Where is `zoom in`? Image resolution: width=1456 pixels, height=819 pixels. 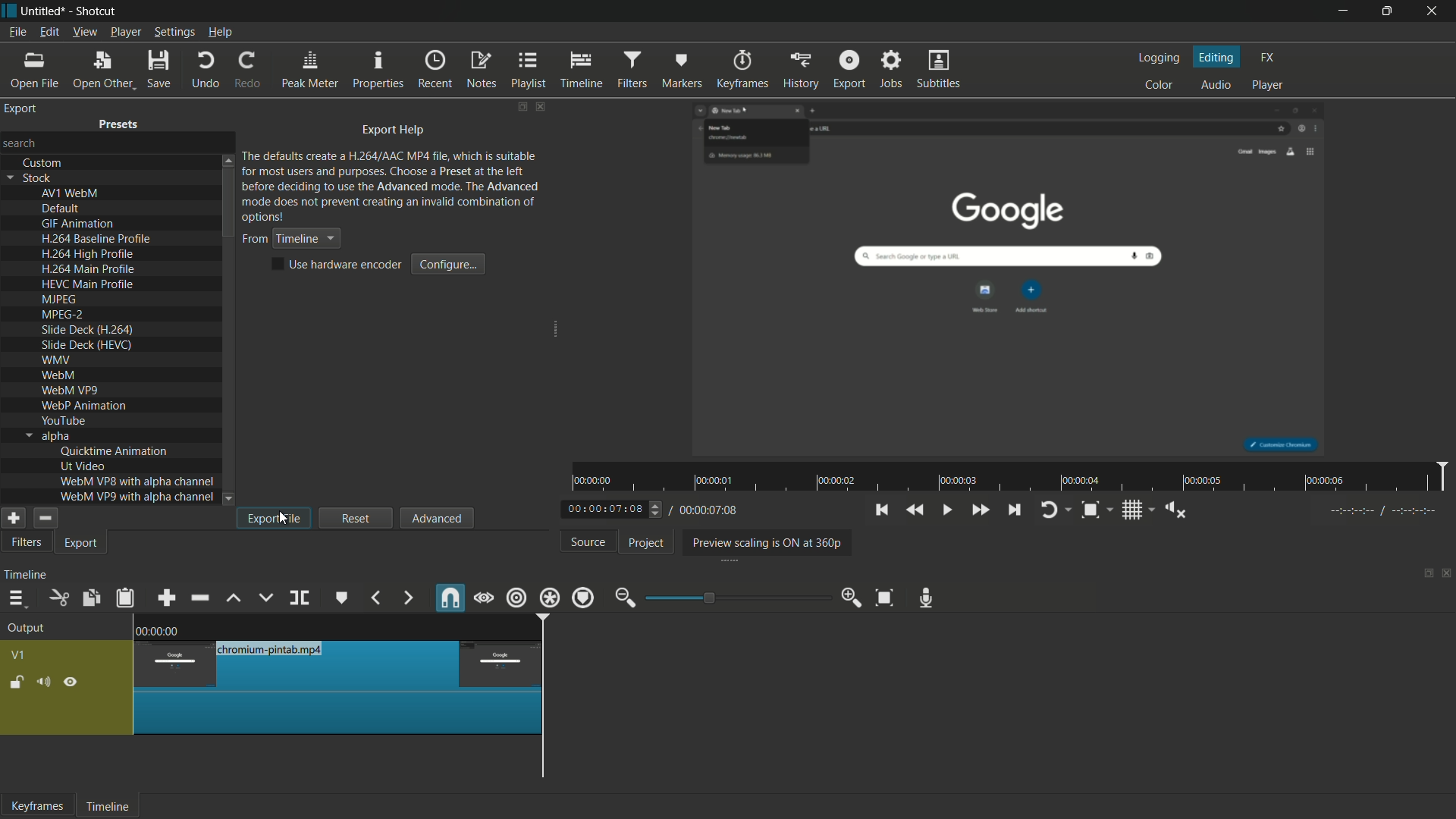
zoom in is located at coordinates (852, 596).